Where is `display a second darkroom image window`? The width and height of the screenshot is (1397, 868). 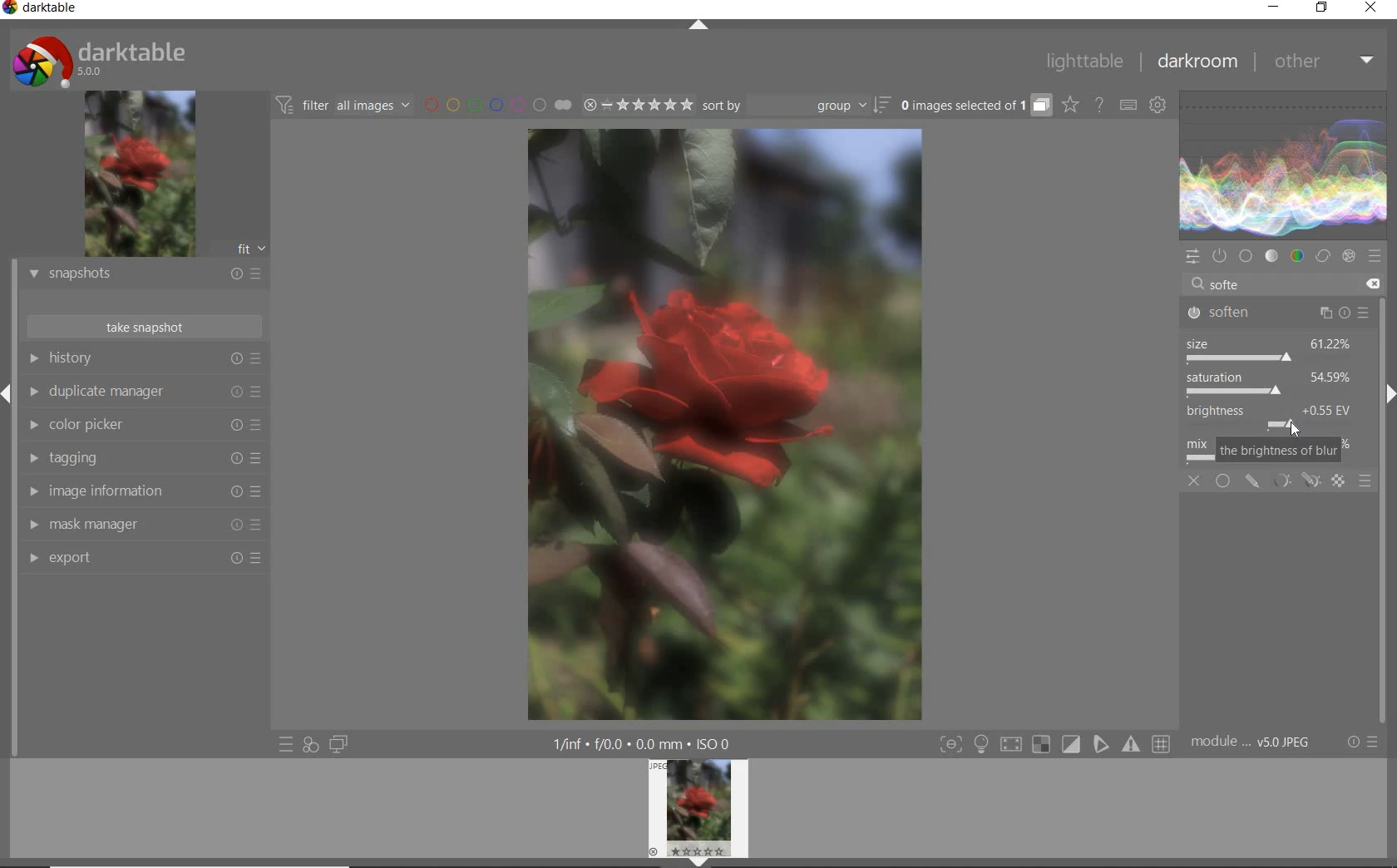
display a second darkroom image window is located at coordinates (338, 745).